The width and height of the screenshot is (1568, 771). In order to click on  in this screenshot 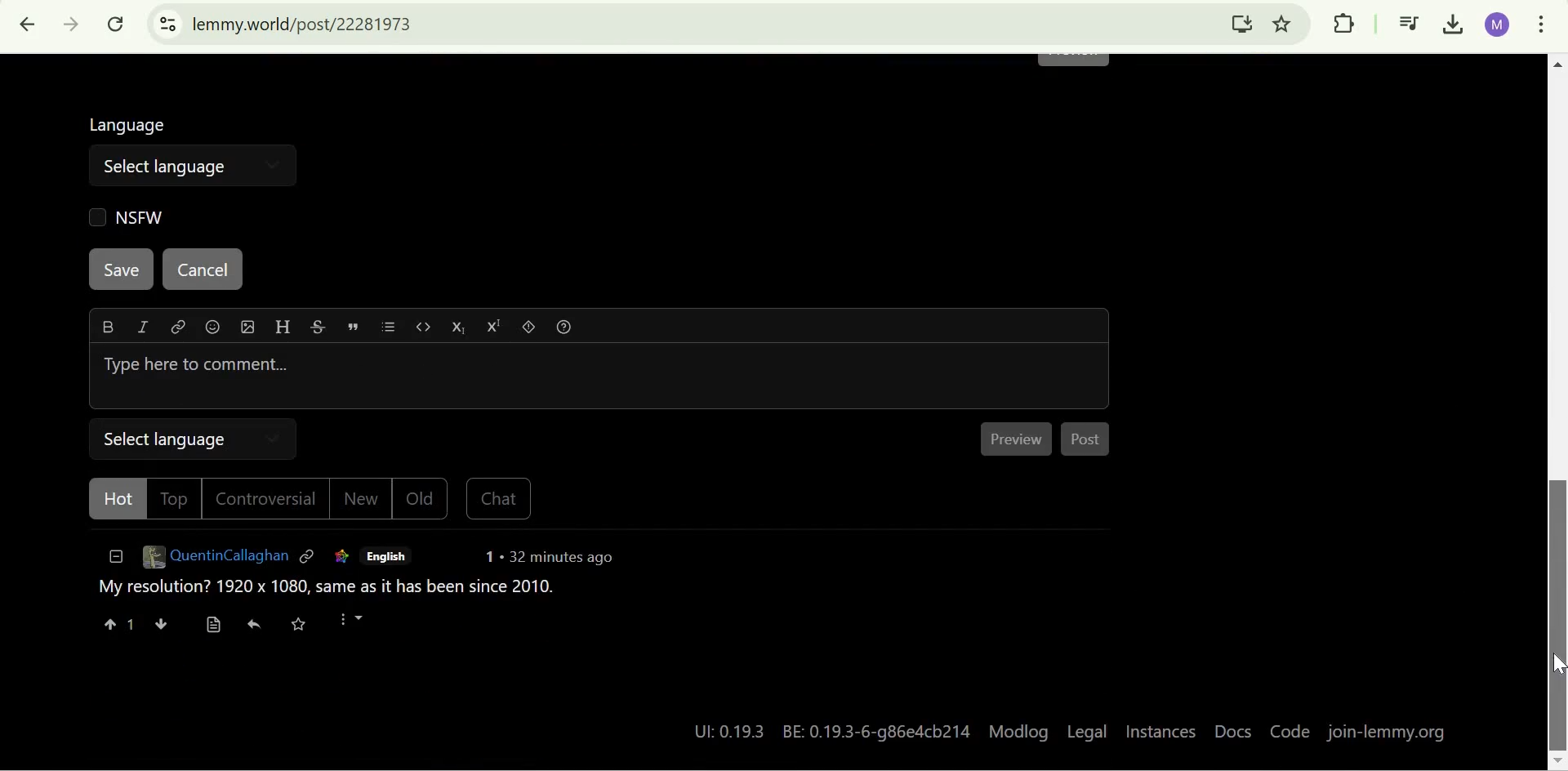, I will do `click(497, 329)`.